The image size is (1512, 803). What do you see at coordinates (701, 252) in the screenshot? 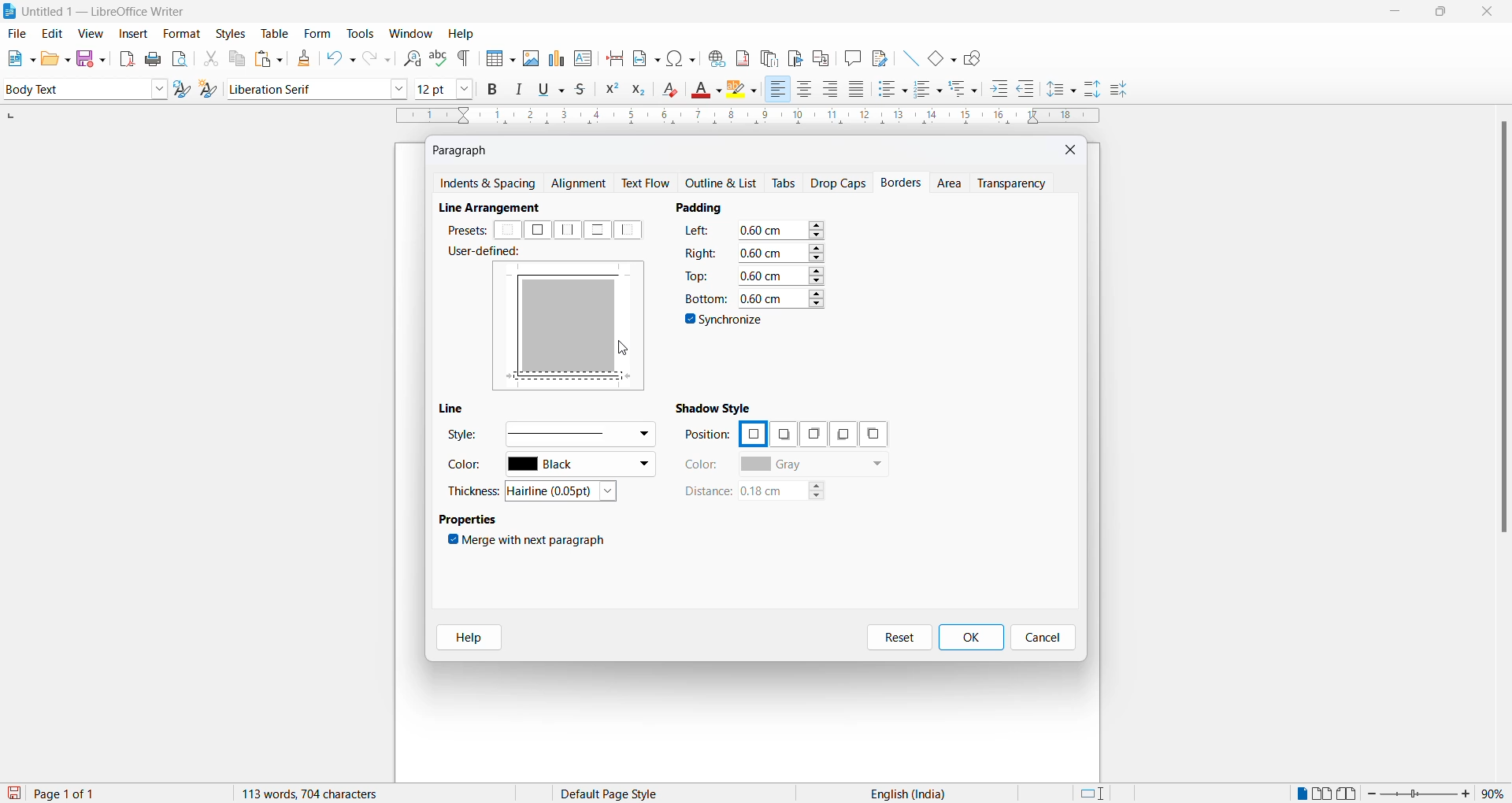
I see `right` at bounding box center [701, 252].